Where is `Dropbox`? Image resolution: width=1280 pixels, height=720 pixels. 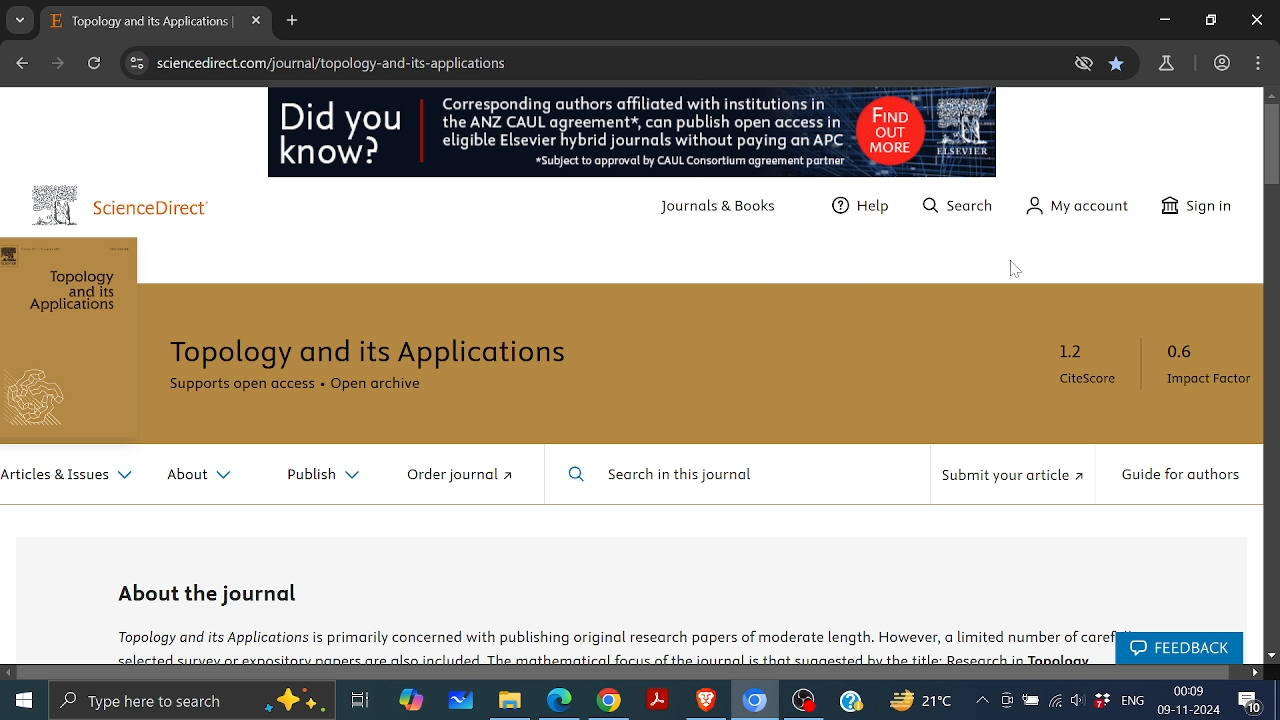 Dropbox is located at coordinates (1101, 699).